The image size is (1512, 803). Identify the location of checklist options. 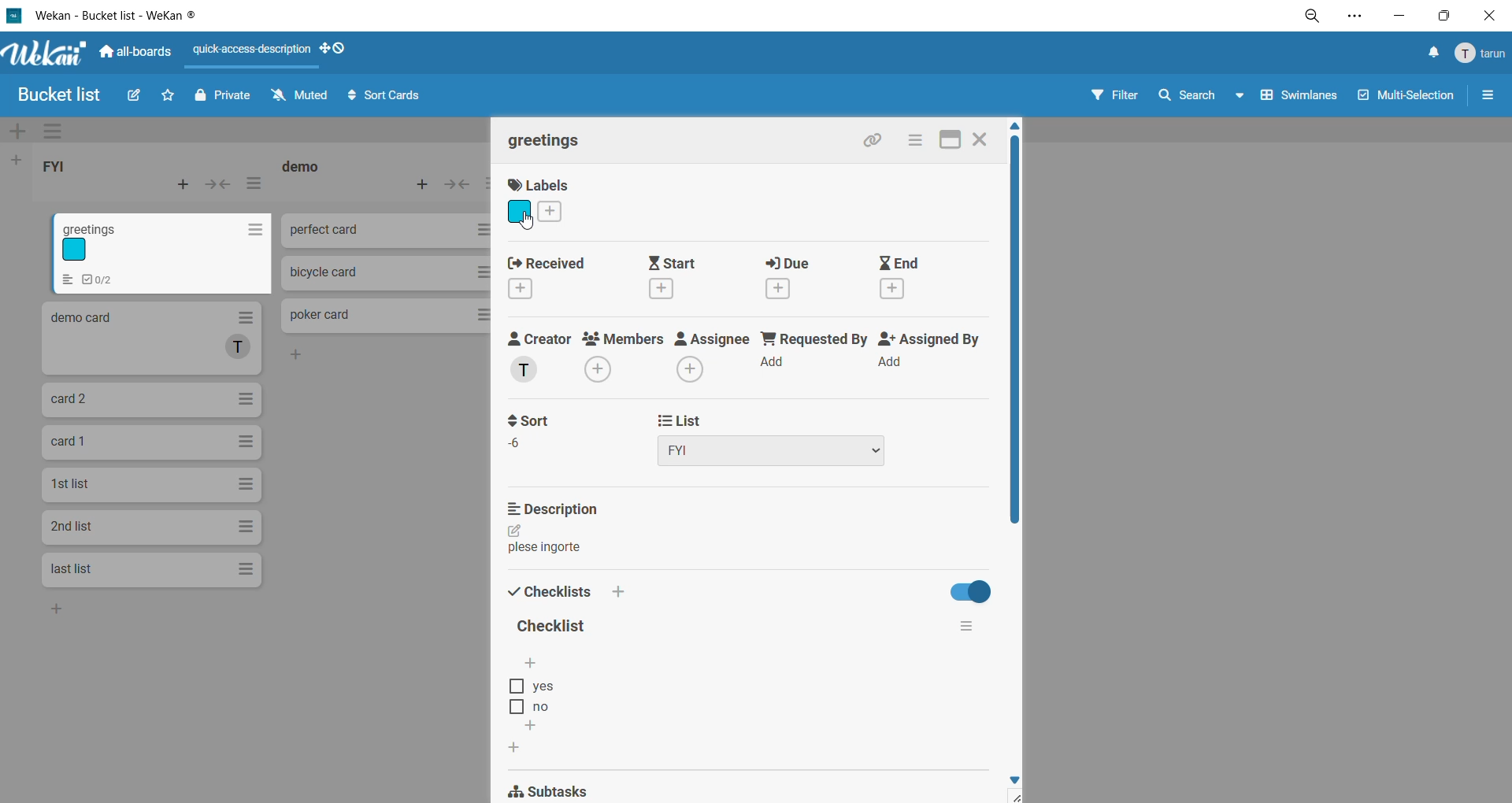
(532, 697).